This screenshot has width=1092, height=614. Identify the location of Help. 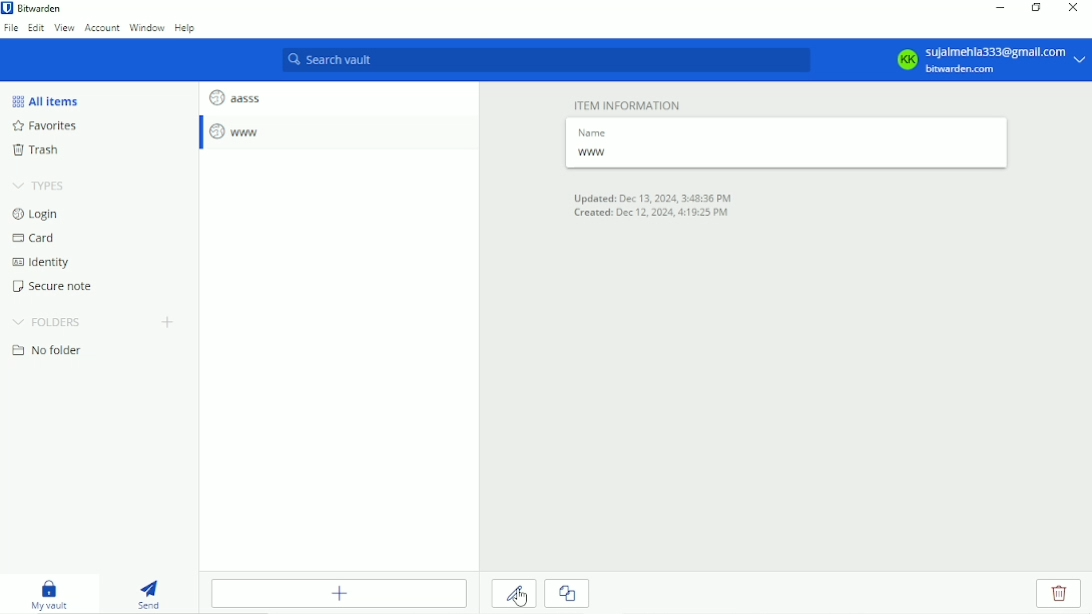
(187, 30).